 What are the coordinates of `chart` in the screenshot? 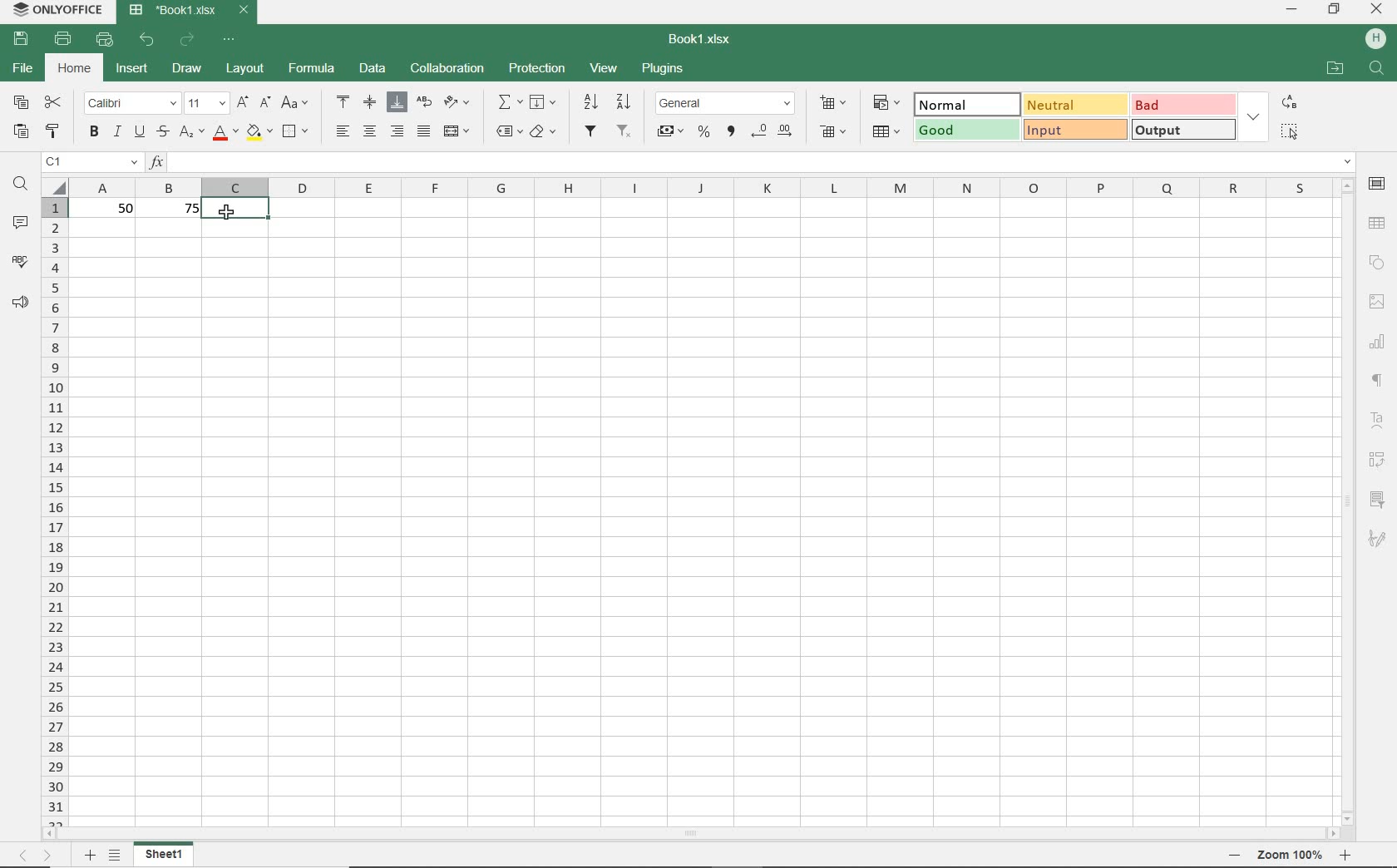 It's located at (1380, 345).